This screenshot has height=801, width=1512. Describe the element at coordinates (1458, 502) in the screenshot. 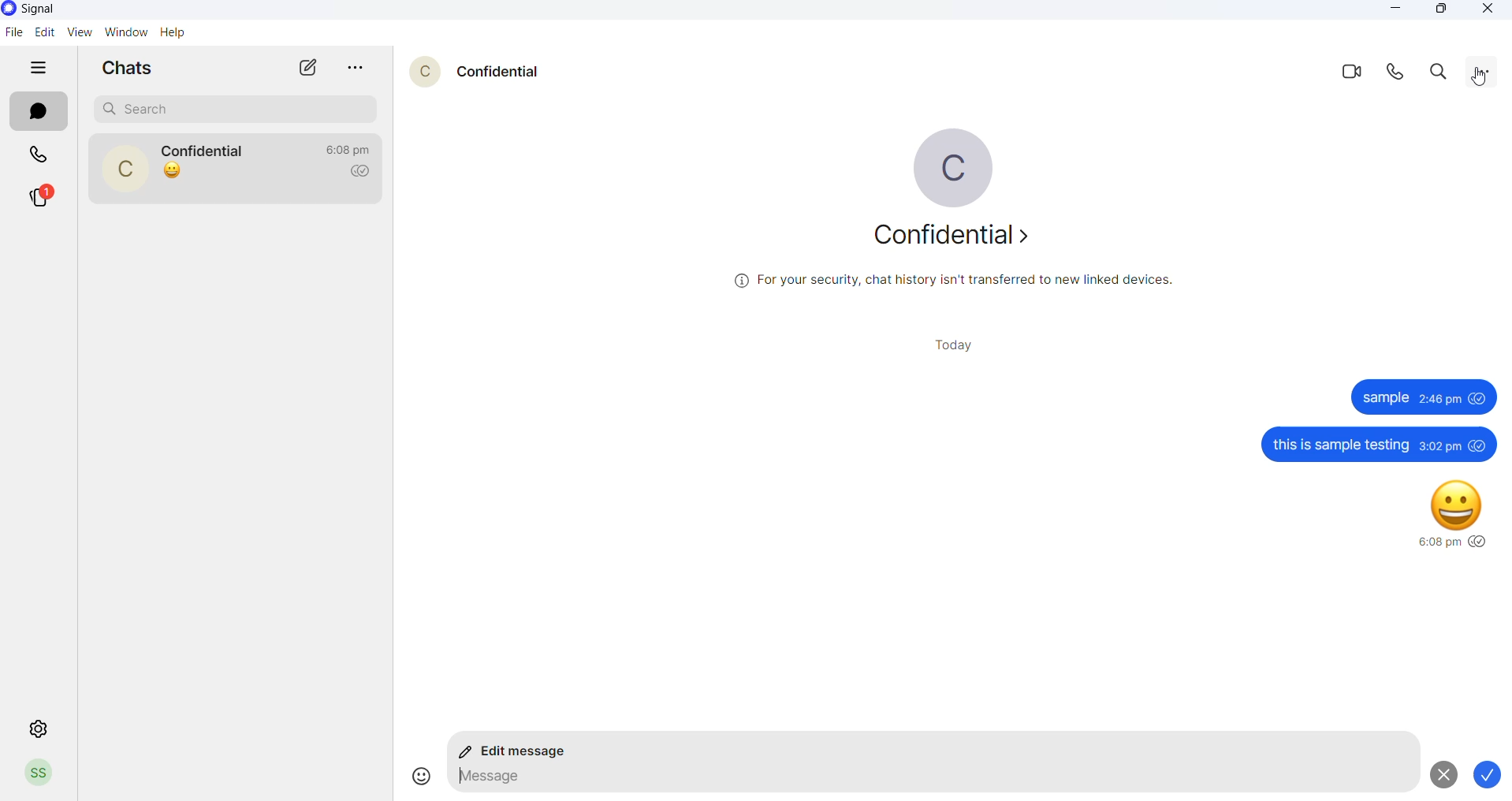

I see `smiley emoji` at that location.